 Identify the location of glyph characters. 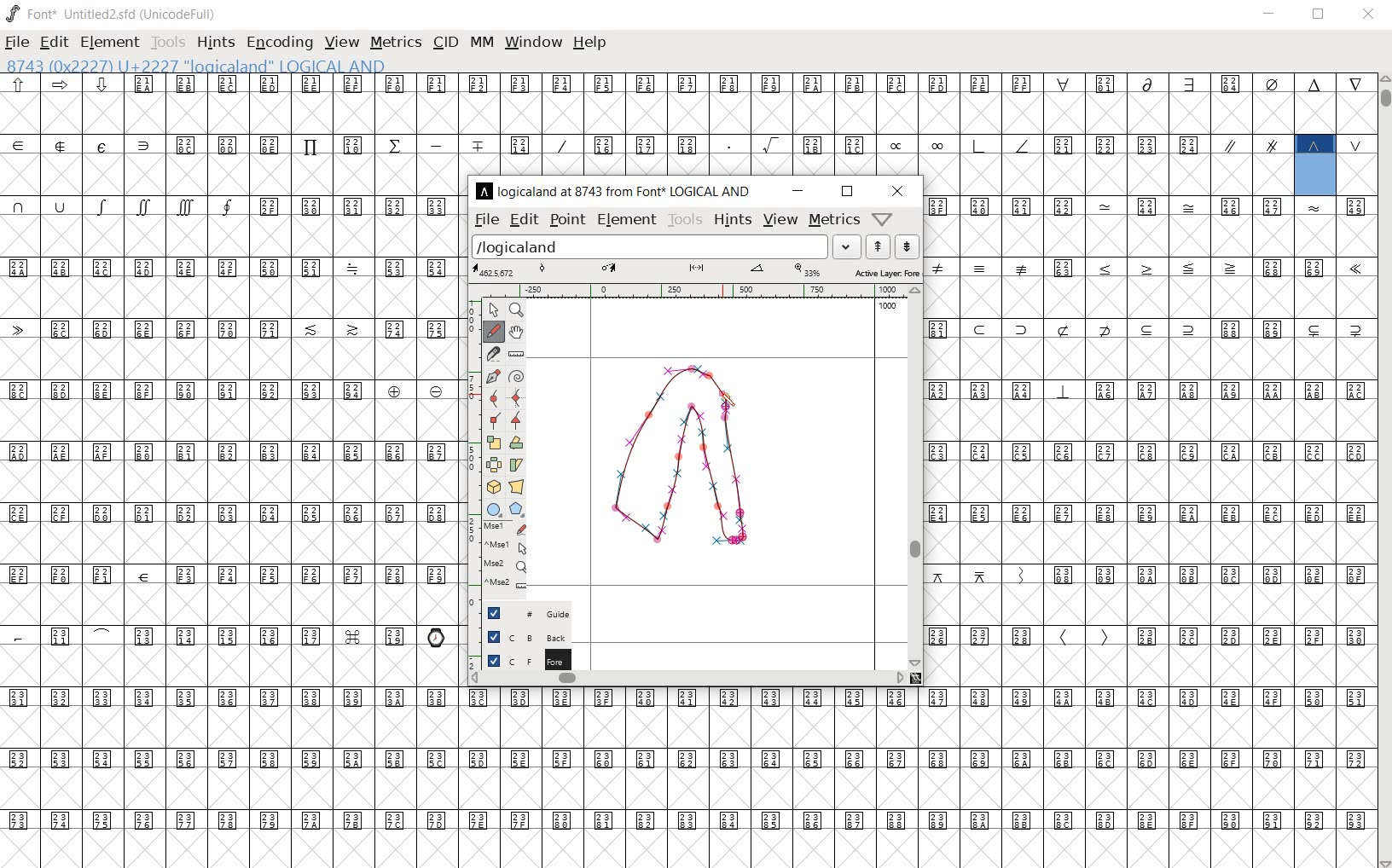
(917, 778).